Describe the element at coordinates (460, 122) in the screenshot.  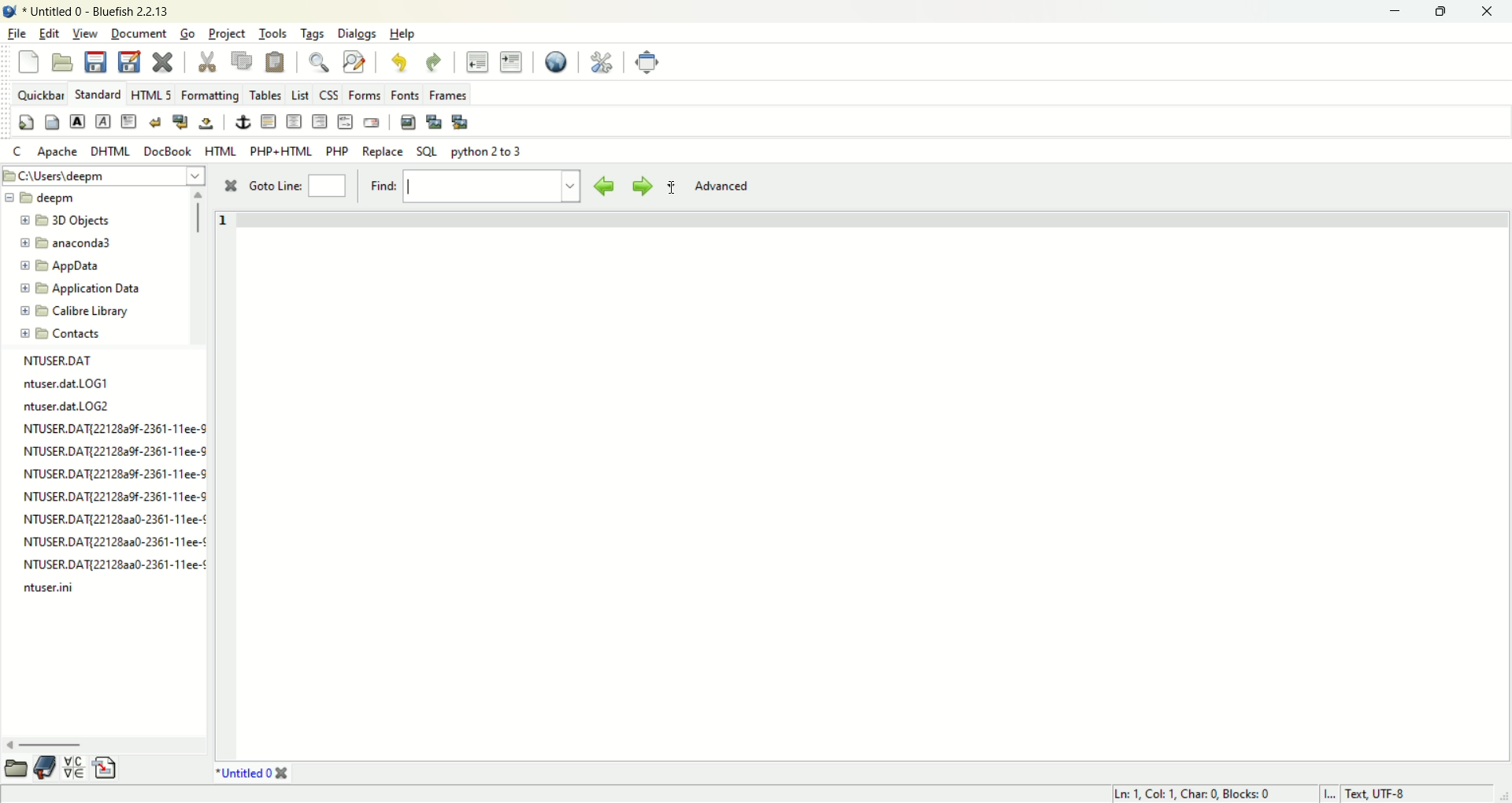
I see `multi thumbnail` at that location.